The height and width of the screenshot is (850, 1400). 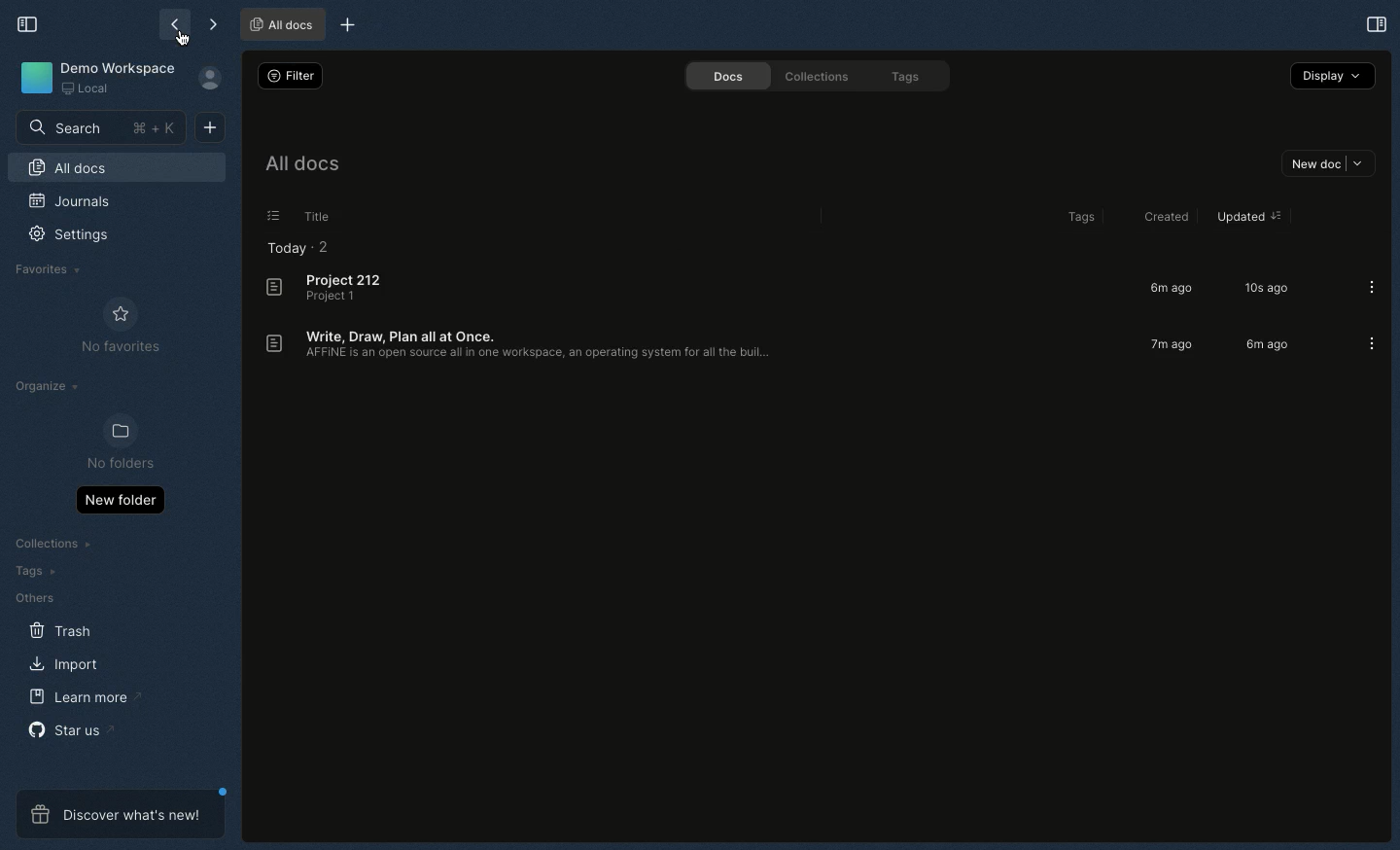 I want to click on new doc, so click(x=1323, y=162).